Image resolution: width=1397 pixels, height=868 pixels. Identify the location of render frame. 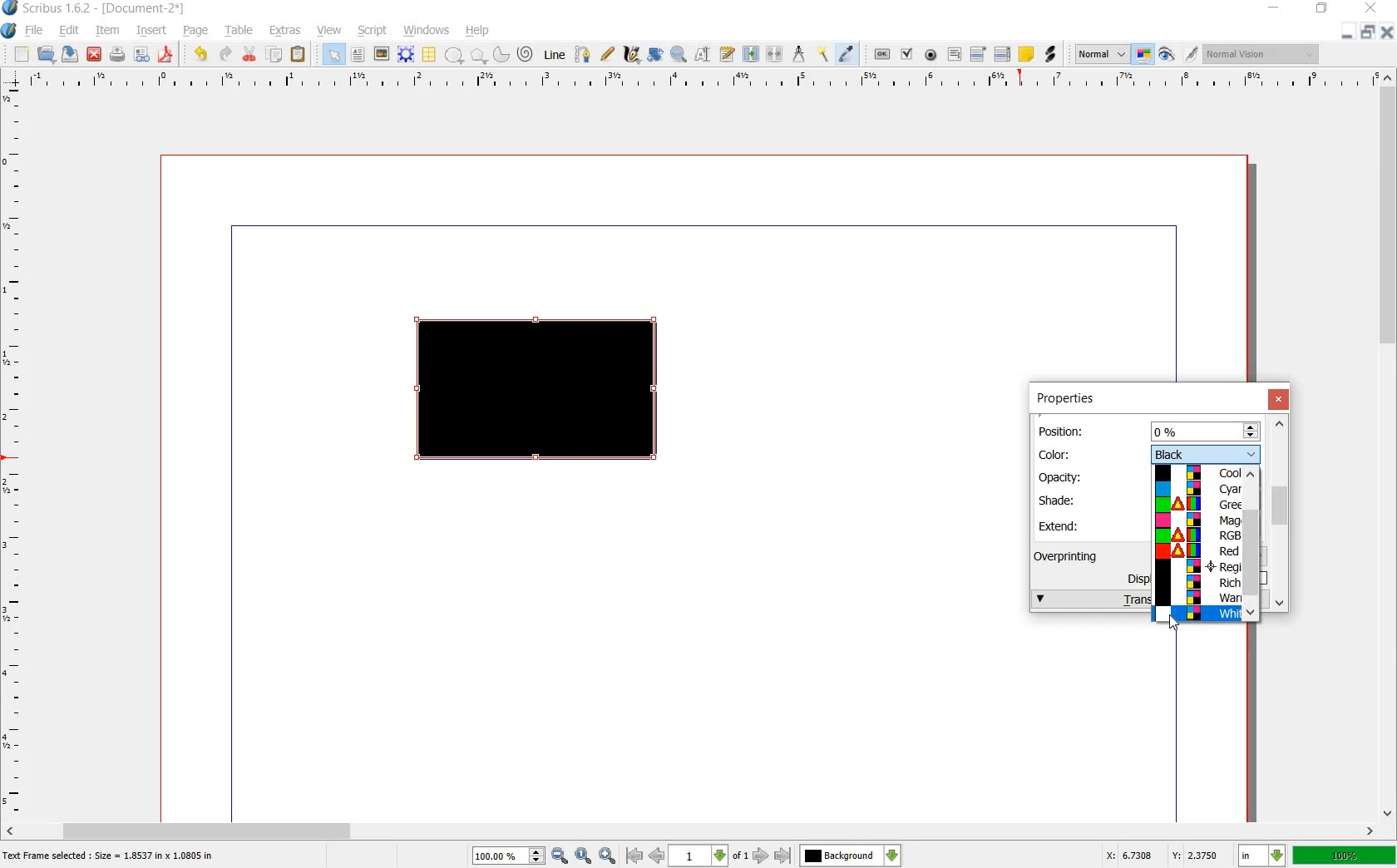
(406, 55).